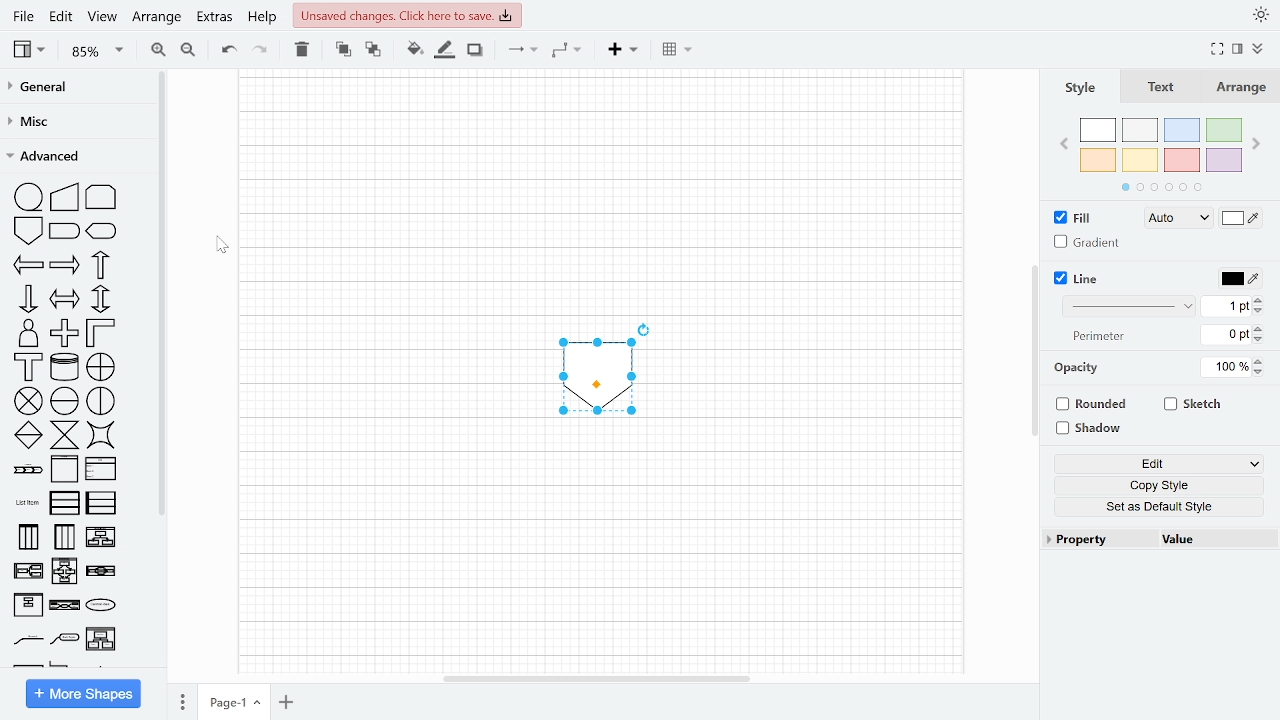 This screenshot has height=720, width=1280. I want to click on switch, so click(102, 436).